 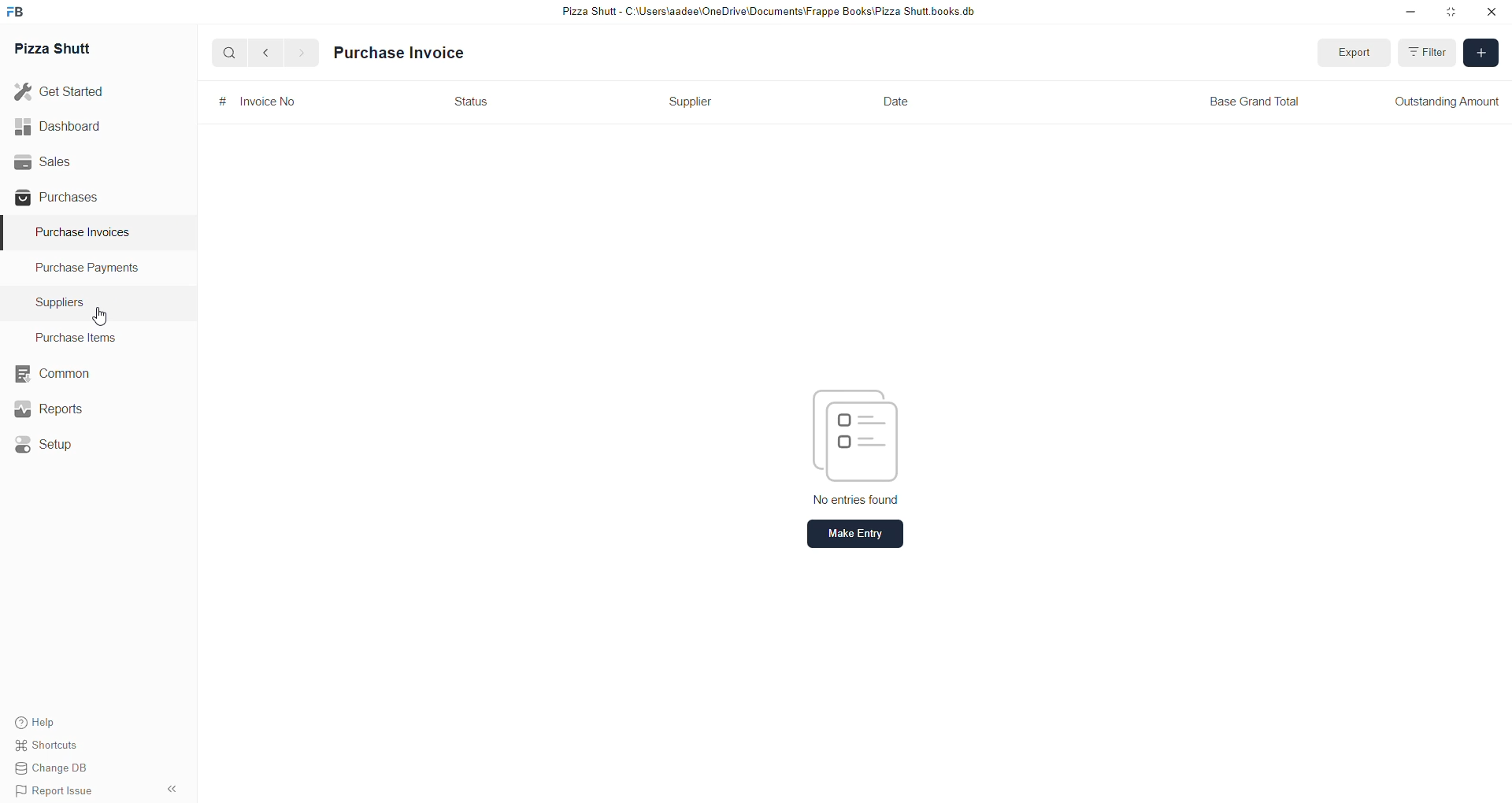 I want to click on J Report Issue, so click(x=57, y=792).